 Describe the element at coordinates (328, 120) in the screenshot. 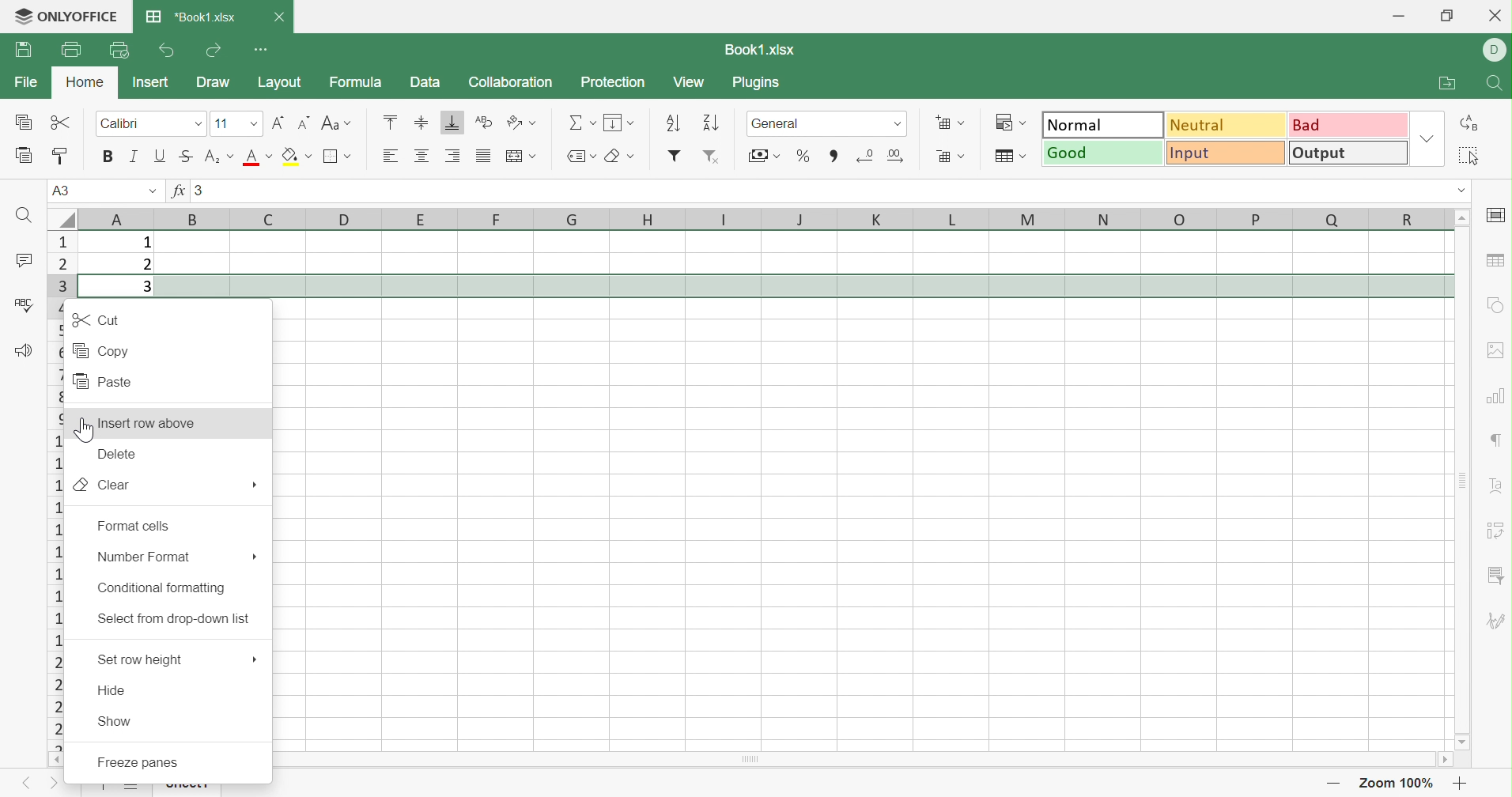

I see `Change case` at that location.